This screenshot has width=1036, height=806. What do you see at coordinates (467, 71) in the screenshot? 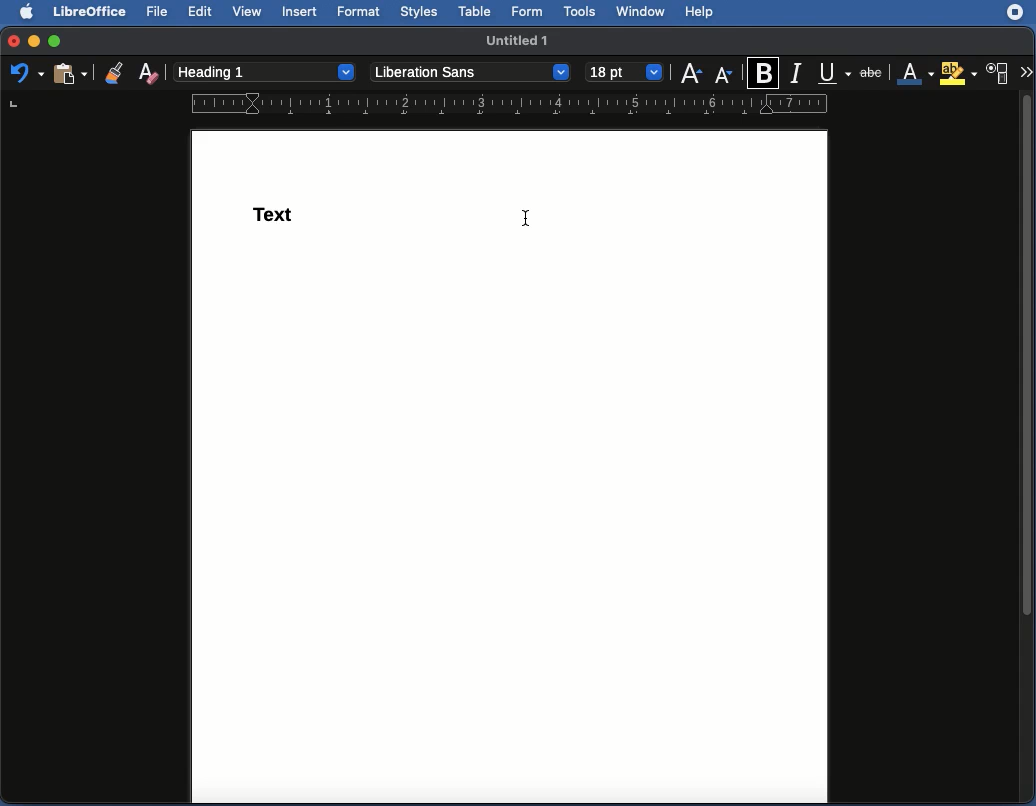
I see `Font style` at bounding box center [467, 71].